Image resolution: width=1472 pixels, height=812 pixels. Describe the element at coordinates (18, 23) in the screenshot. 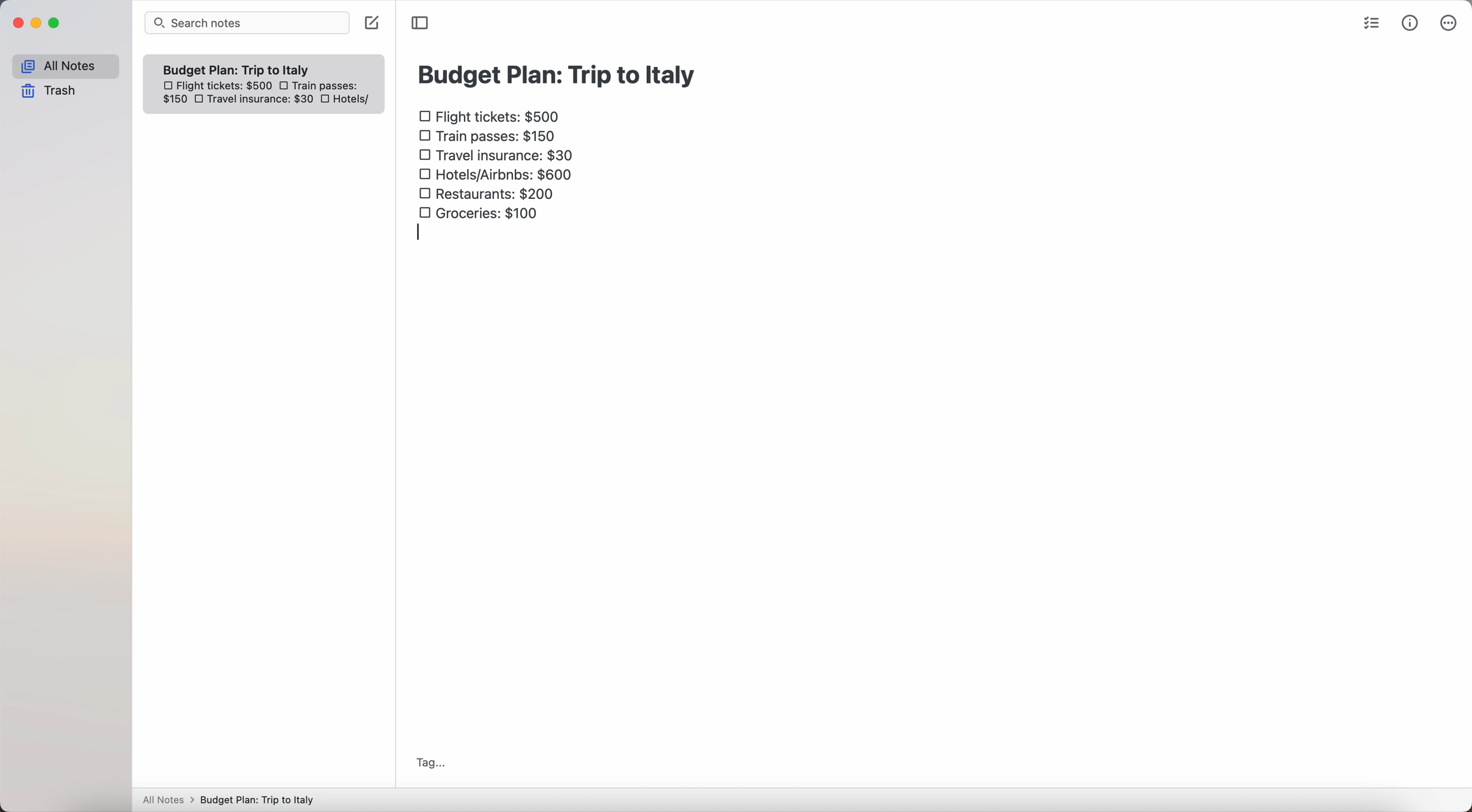

I see `close Simplenote` at that location.